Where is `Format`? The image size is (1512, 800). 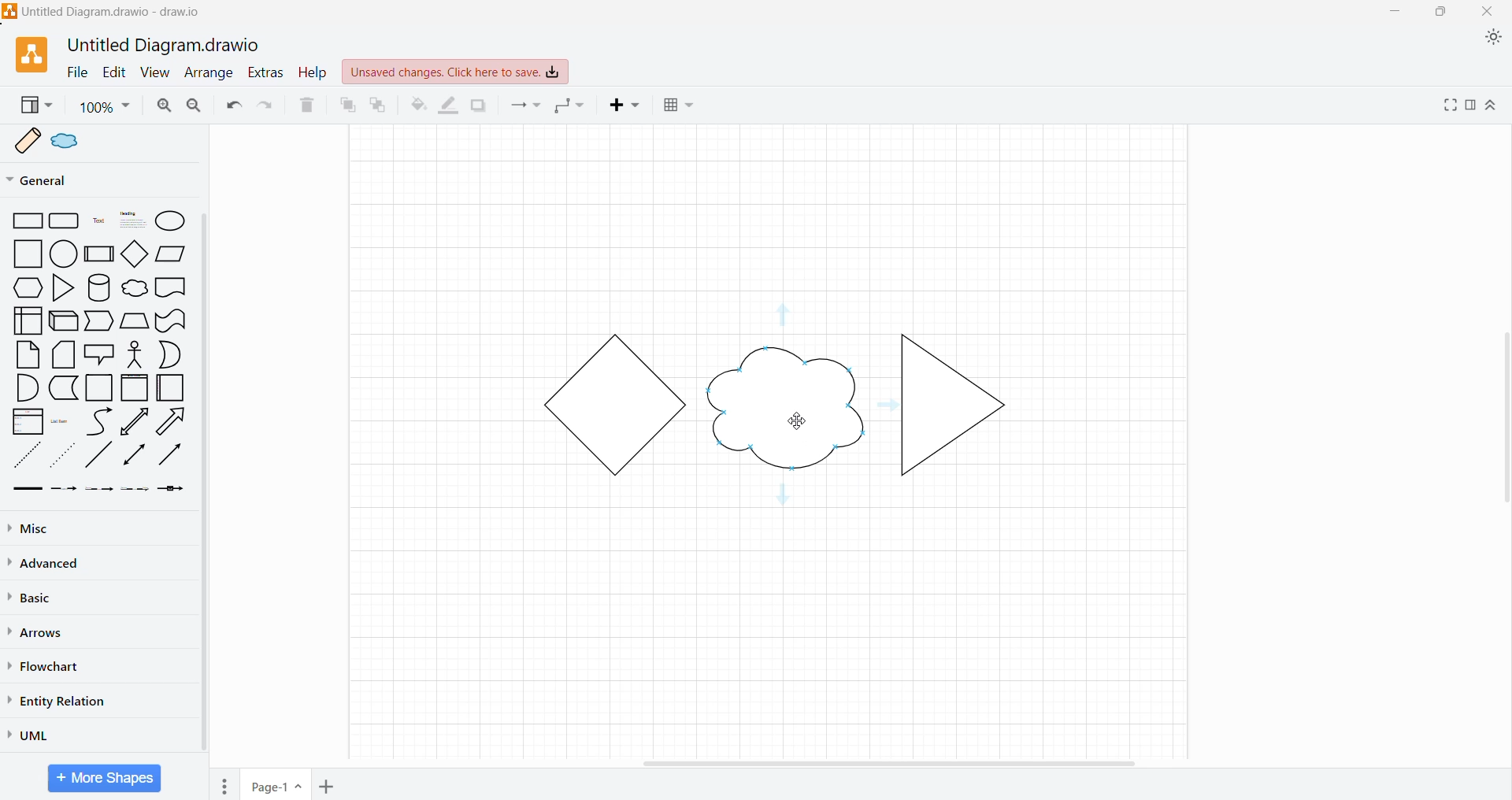
Format is located at coordinates (1470, 106).